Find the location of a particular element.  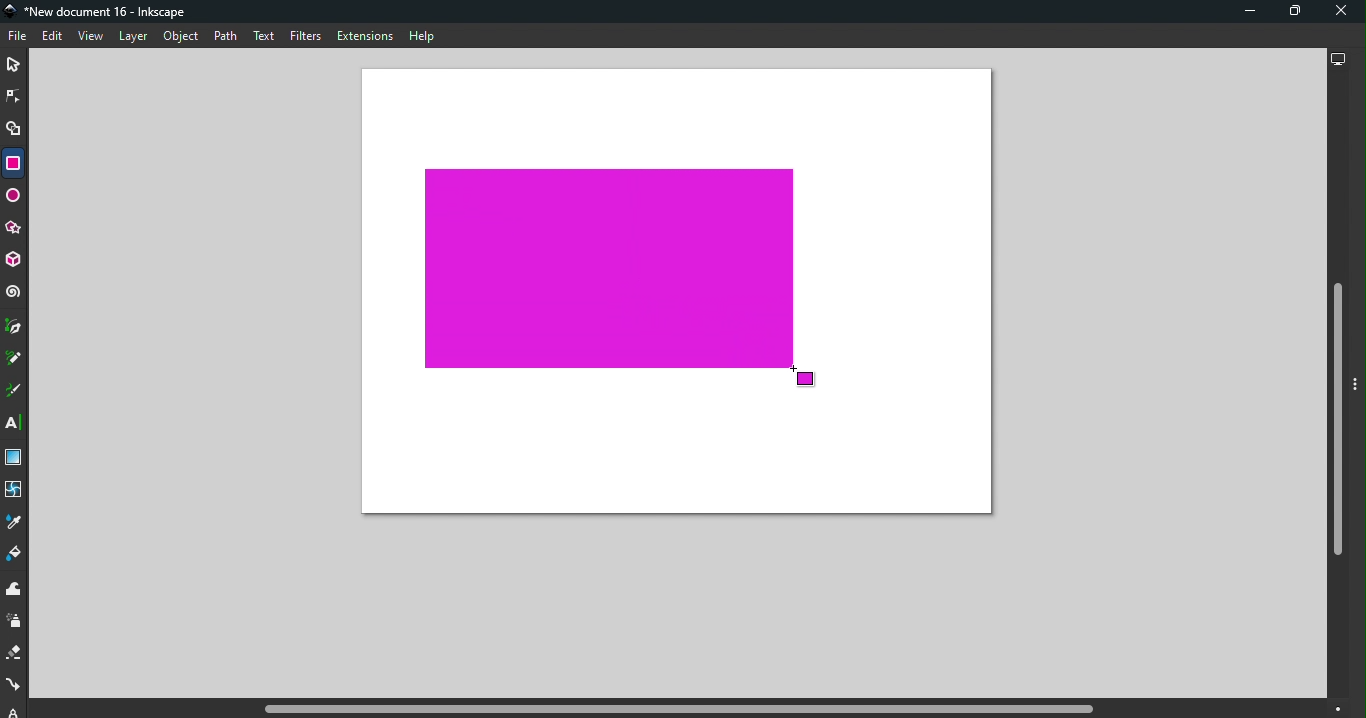

Mesh tool is located at coordinates (15, 491).